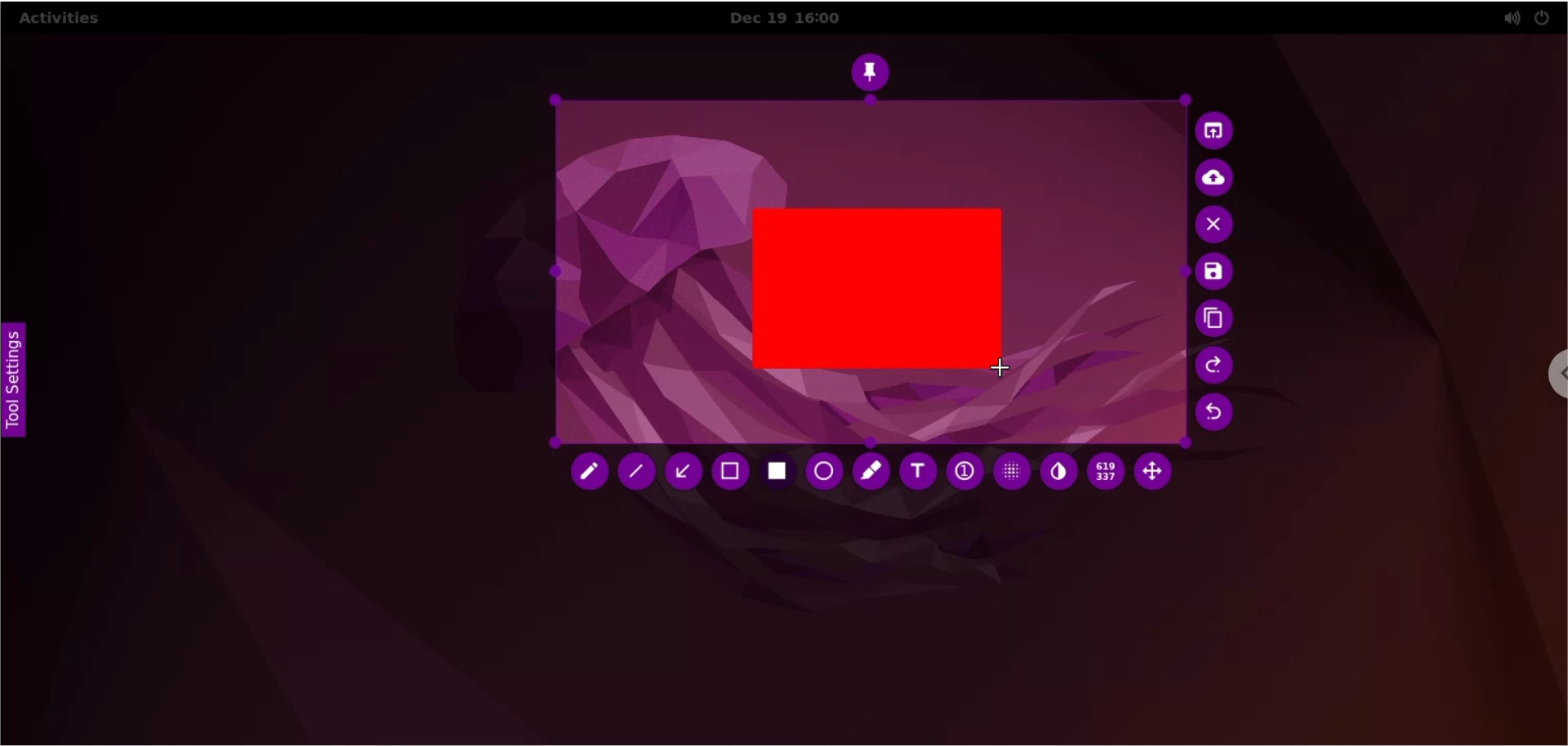 The image size is (1568, 746). I want to click on move selection, so click(1158, 474).